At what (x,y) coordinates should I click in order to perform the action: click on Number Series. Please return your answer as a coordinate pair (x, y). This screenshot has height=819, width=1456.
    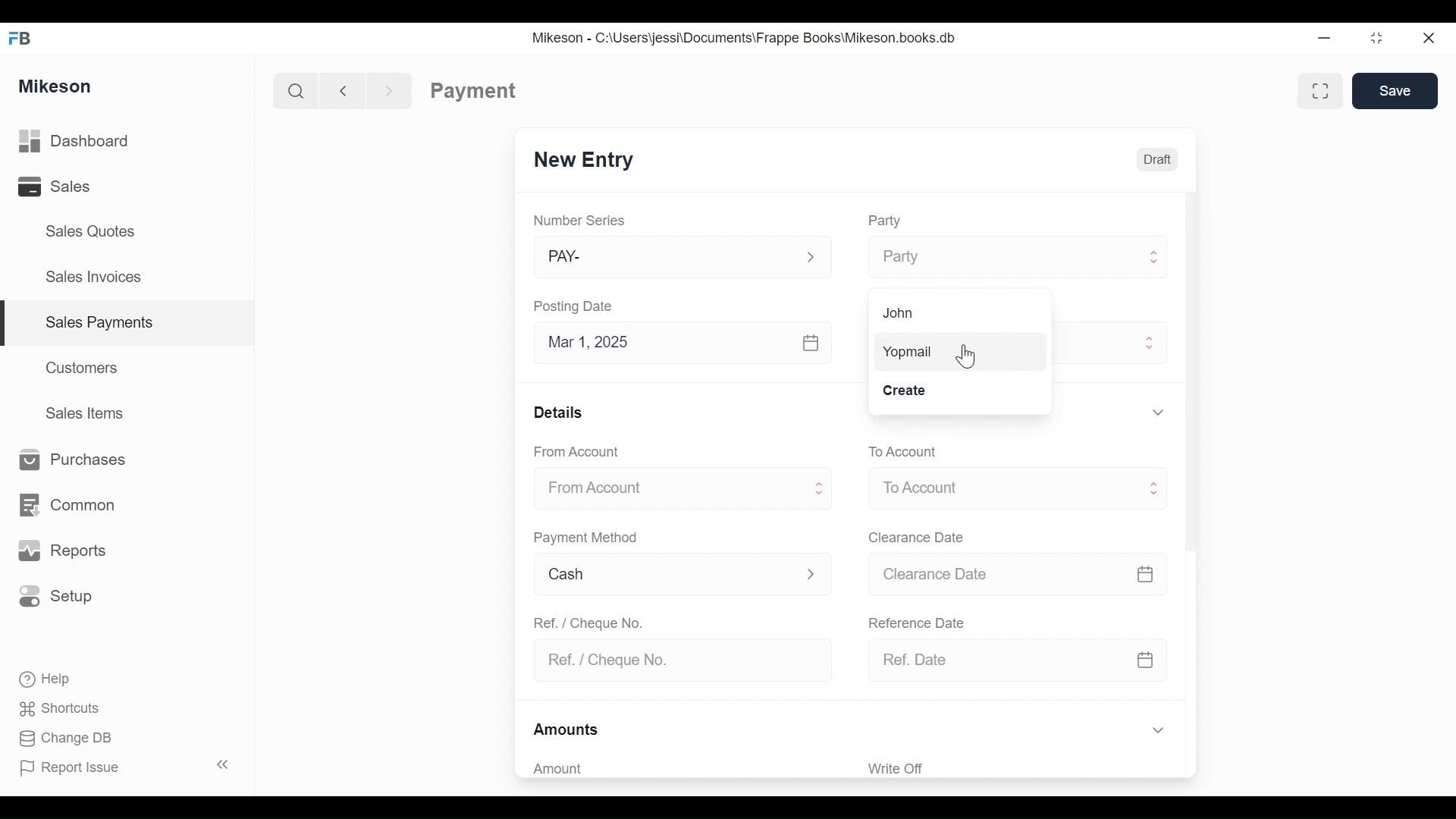
    Looking at the image, I should click on (582, 221).